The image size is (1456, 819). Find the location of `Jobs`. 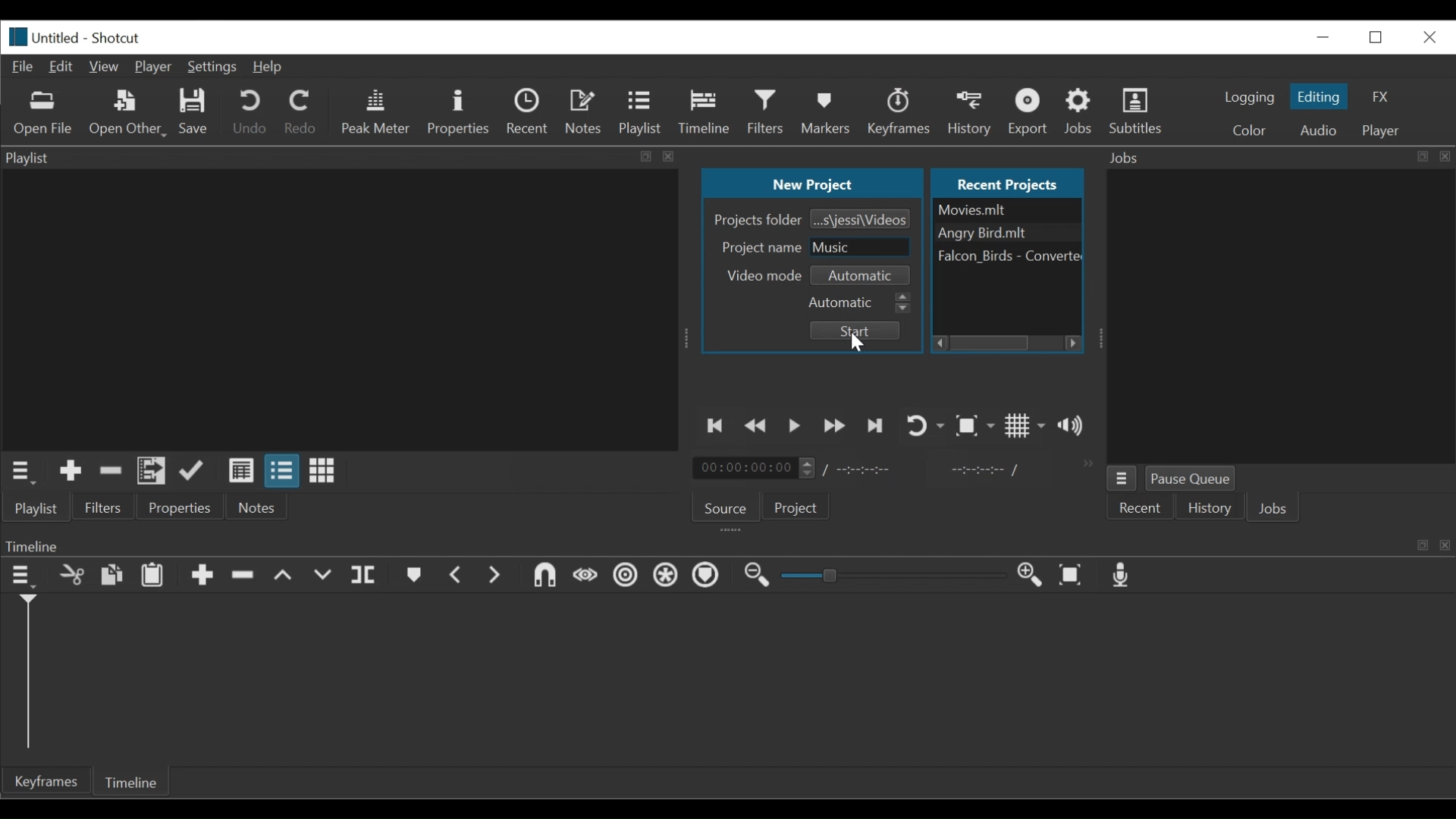

Jobs is located at coordinates (1271, 509).